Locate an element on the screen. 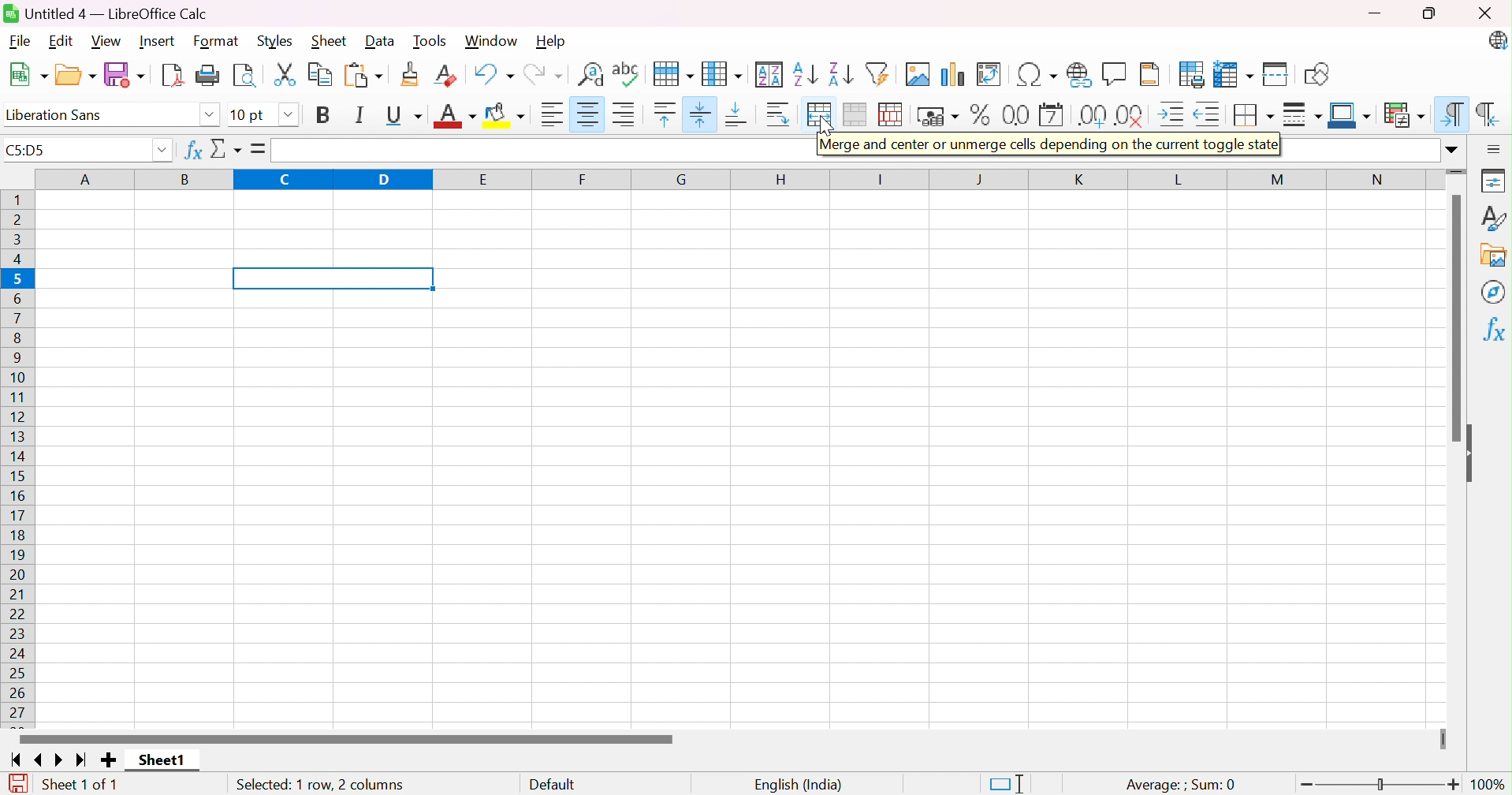  Scroll to first sheet is located at coordinates (13, 761).